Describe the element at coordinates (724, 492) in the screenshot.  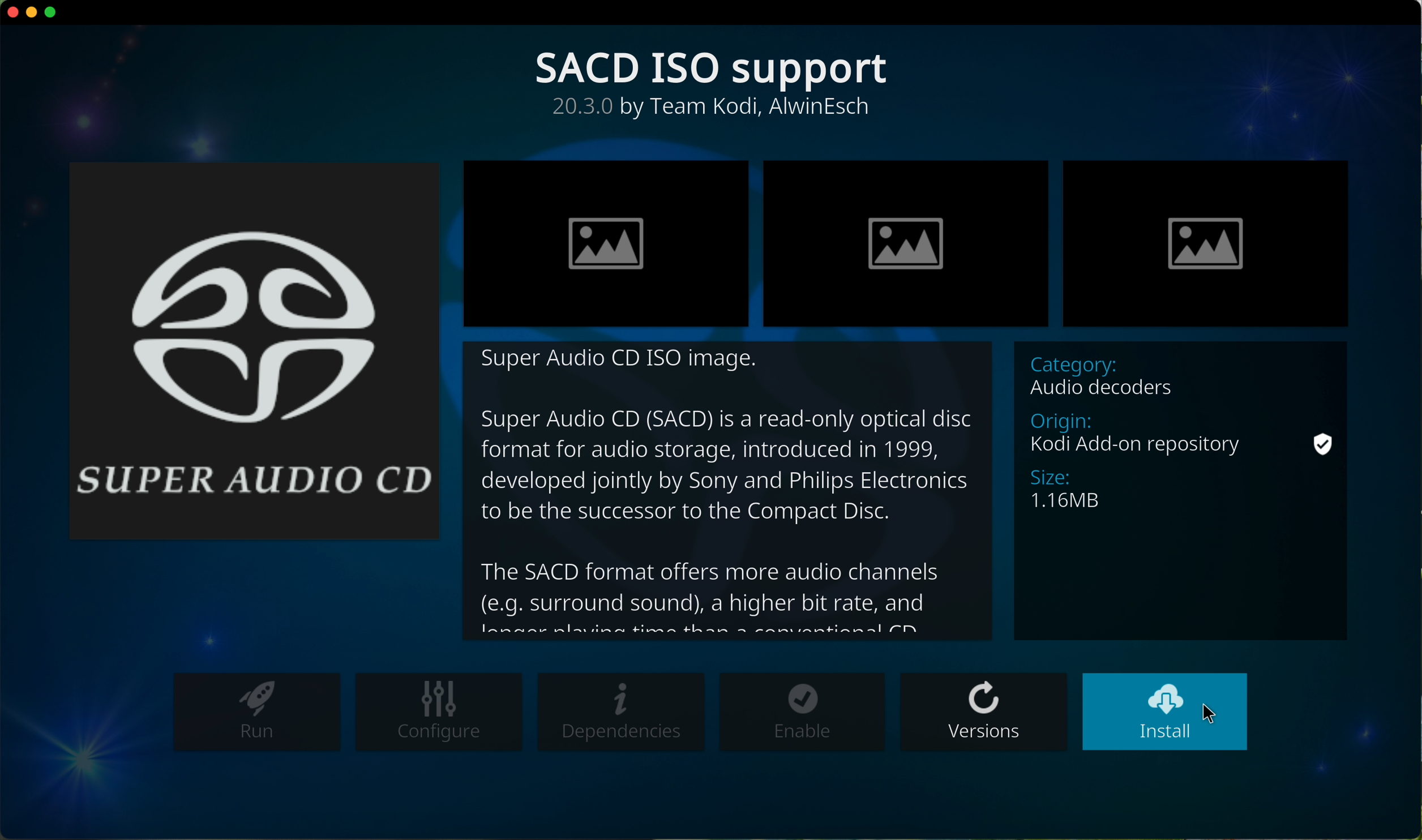
I see `description` at that location.